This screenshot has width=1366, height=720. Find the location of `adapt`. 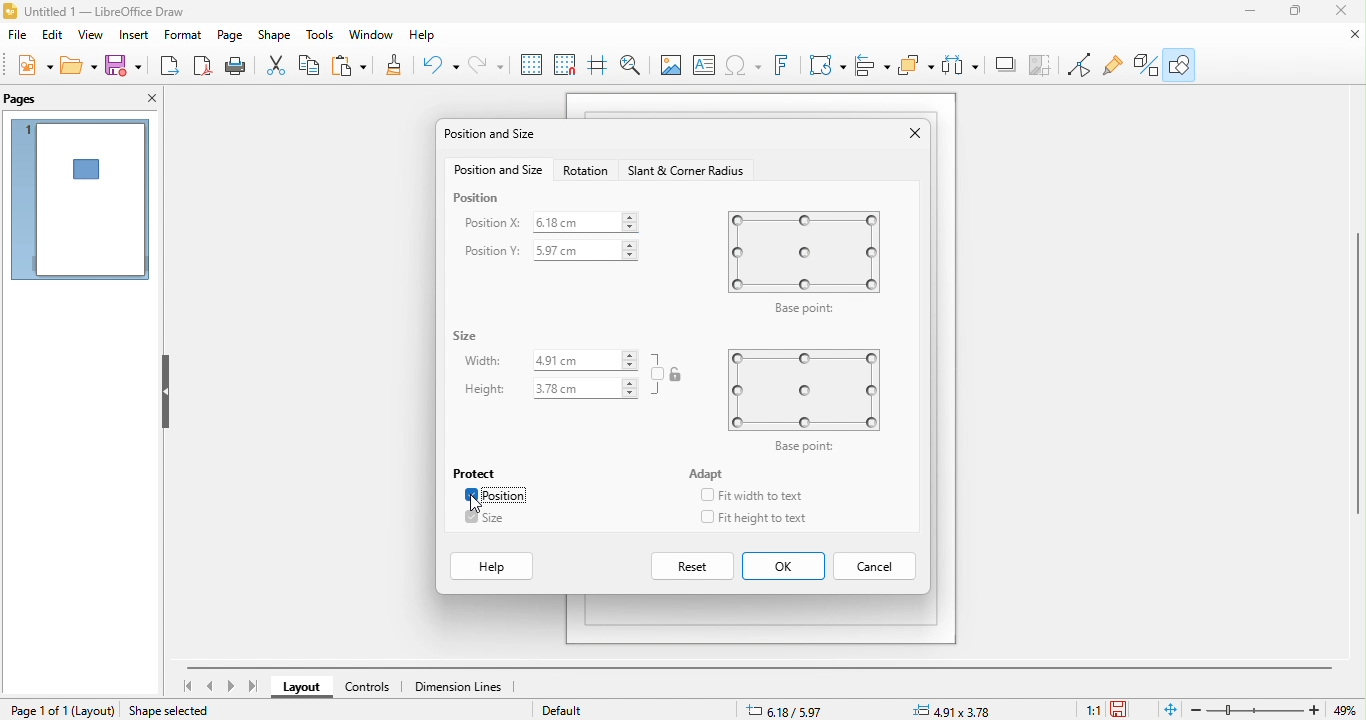

adapt is located at coordinates (709, 473).